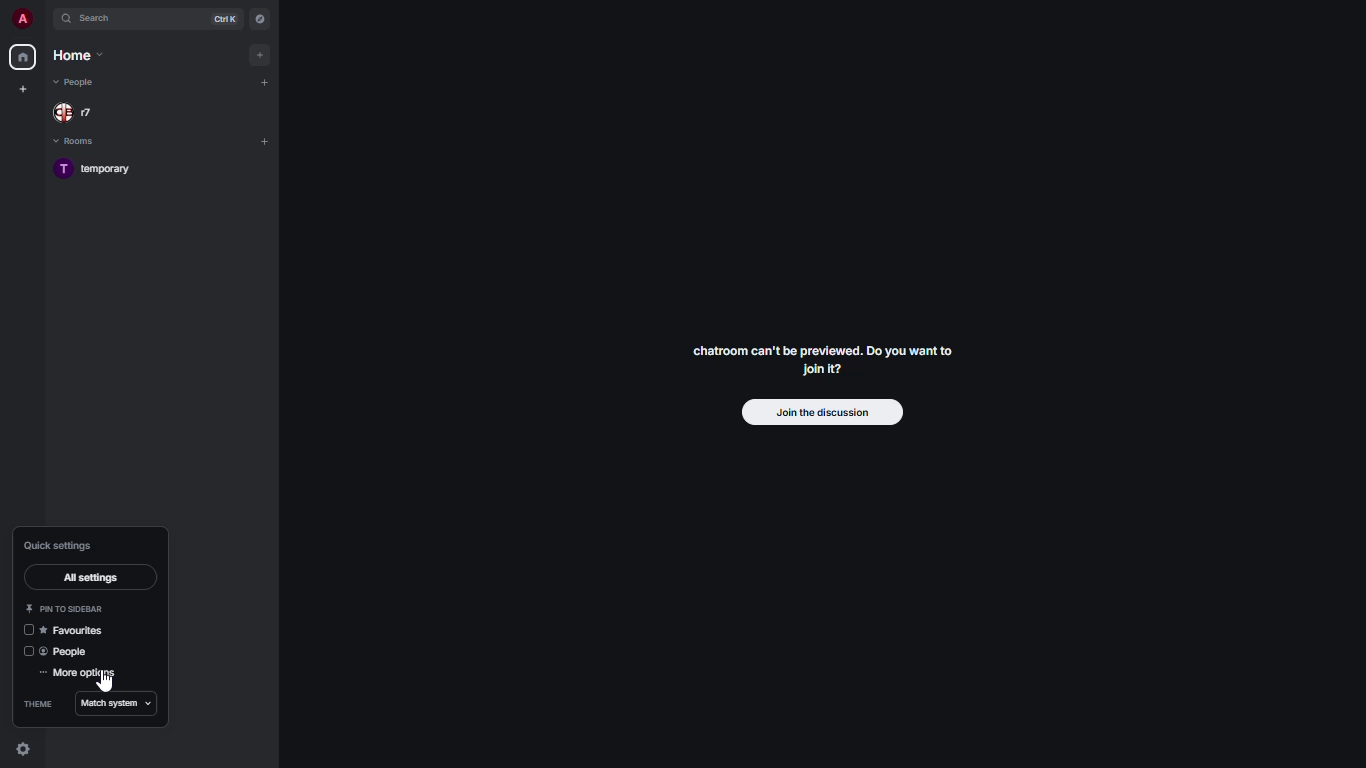 Image resolution: width=1366 pixels, height=768 pixels. What do you see at coordinates (48, 18) in the screenshot?
I see `expand` at bounding box center [48, 18].